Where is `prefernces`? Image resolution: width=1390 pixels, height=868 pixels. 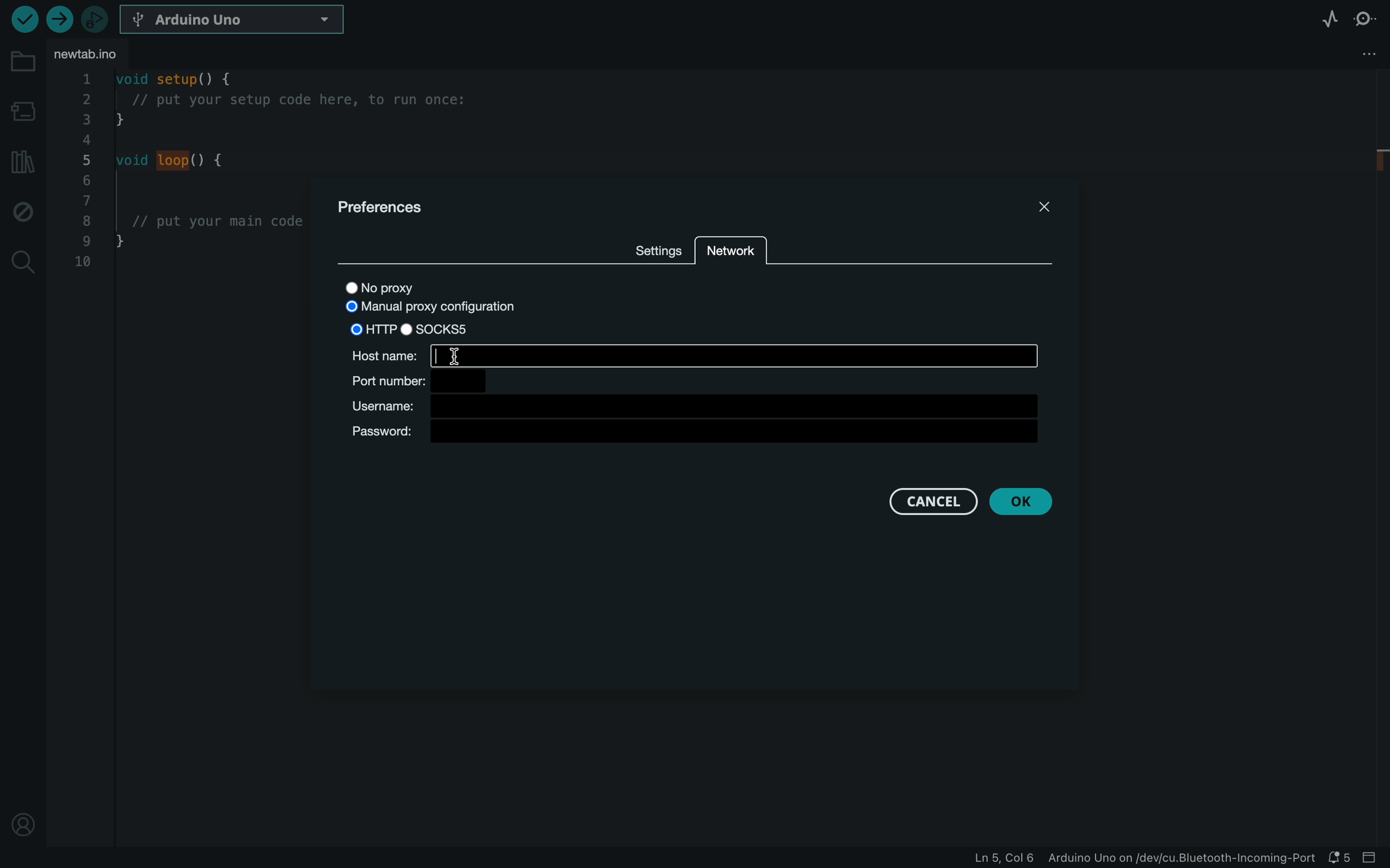
prefernces is located at coordinates (387, 209).